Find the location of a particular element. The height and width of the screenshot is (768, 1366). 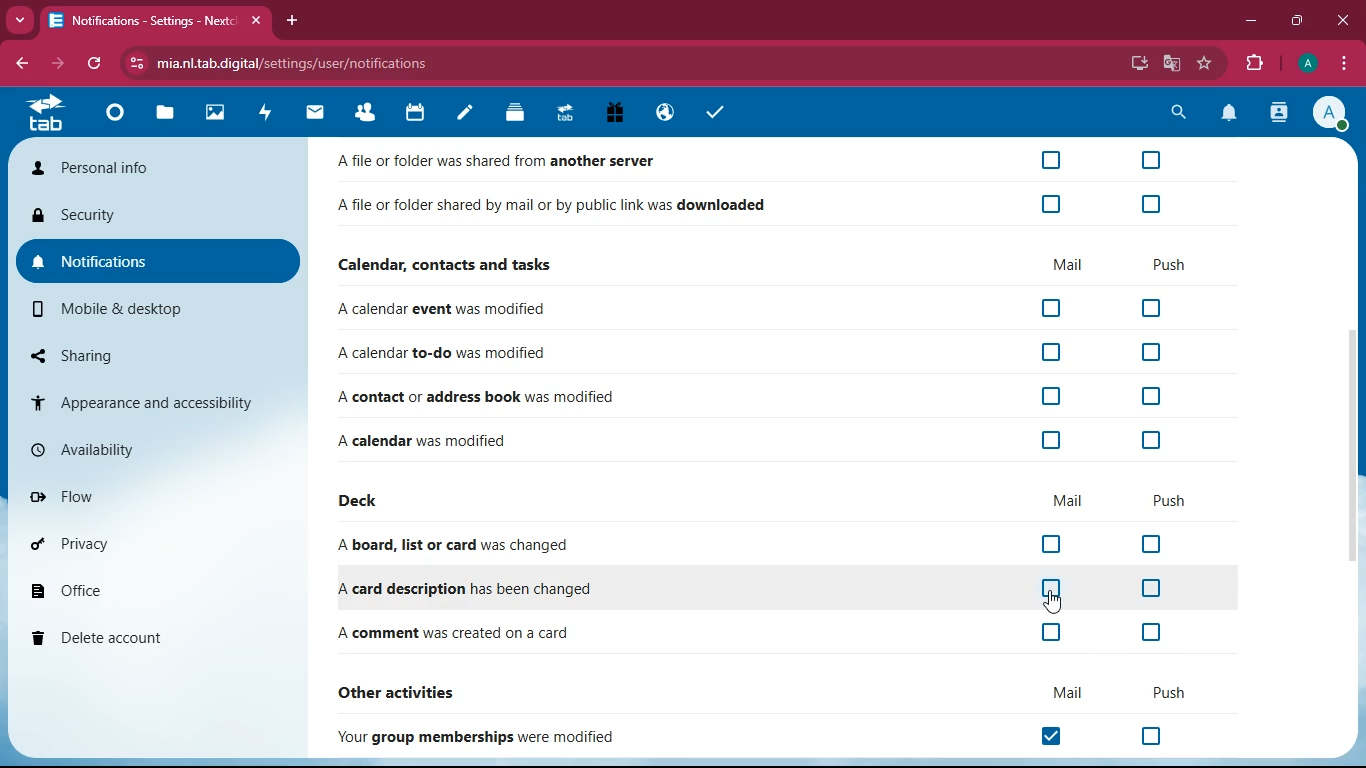

Account is located at coordinates (1305, 61).